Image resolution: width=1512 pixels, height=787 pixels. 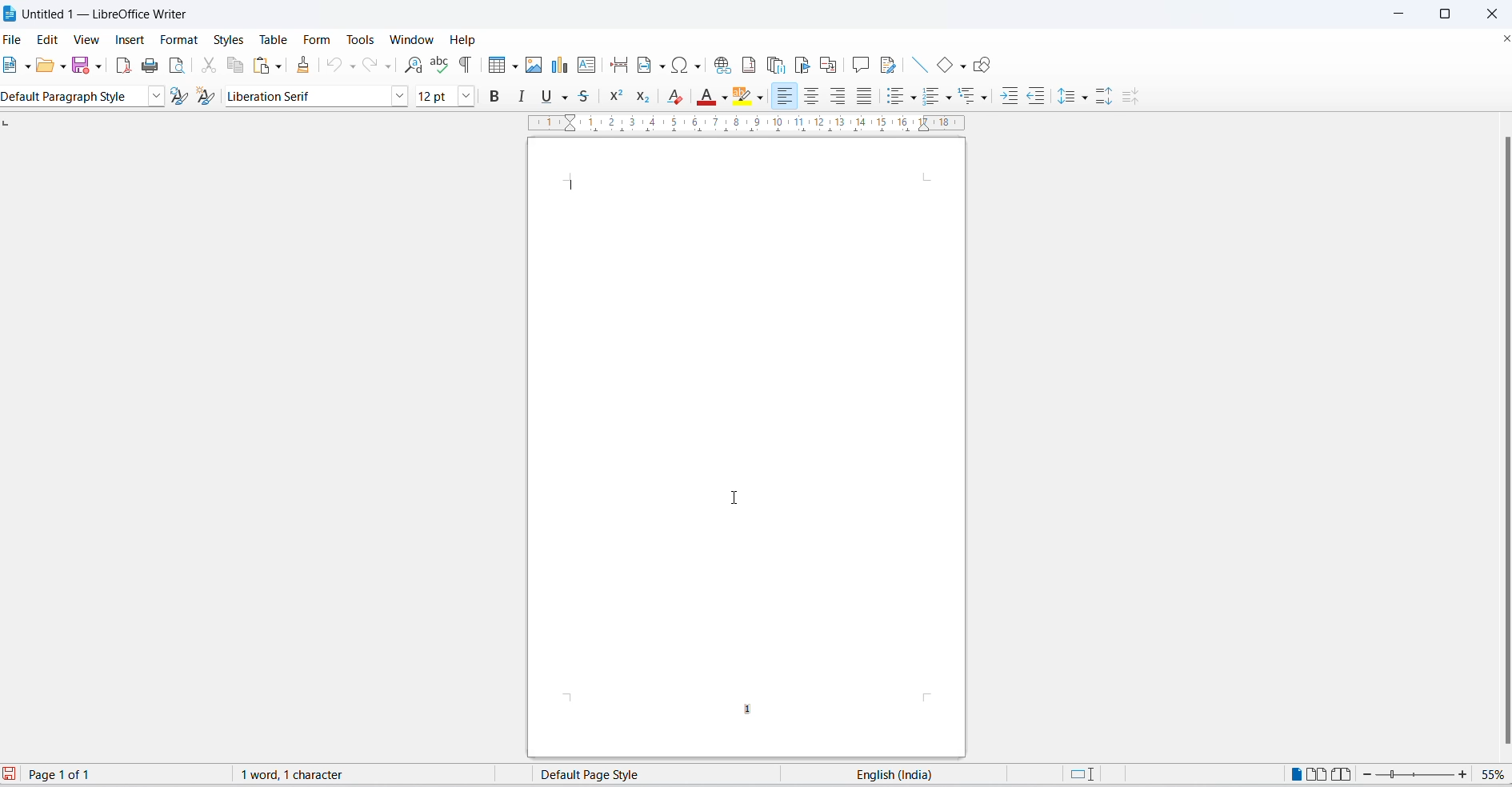 I want to click on insert cross reference, so click(x=828, y=64).